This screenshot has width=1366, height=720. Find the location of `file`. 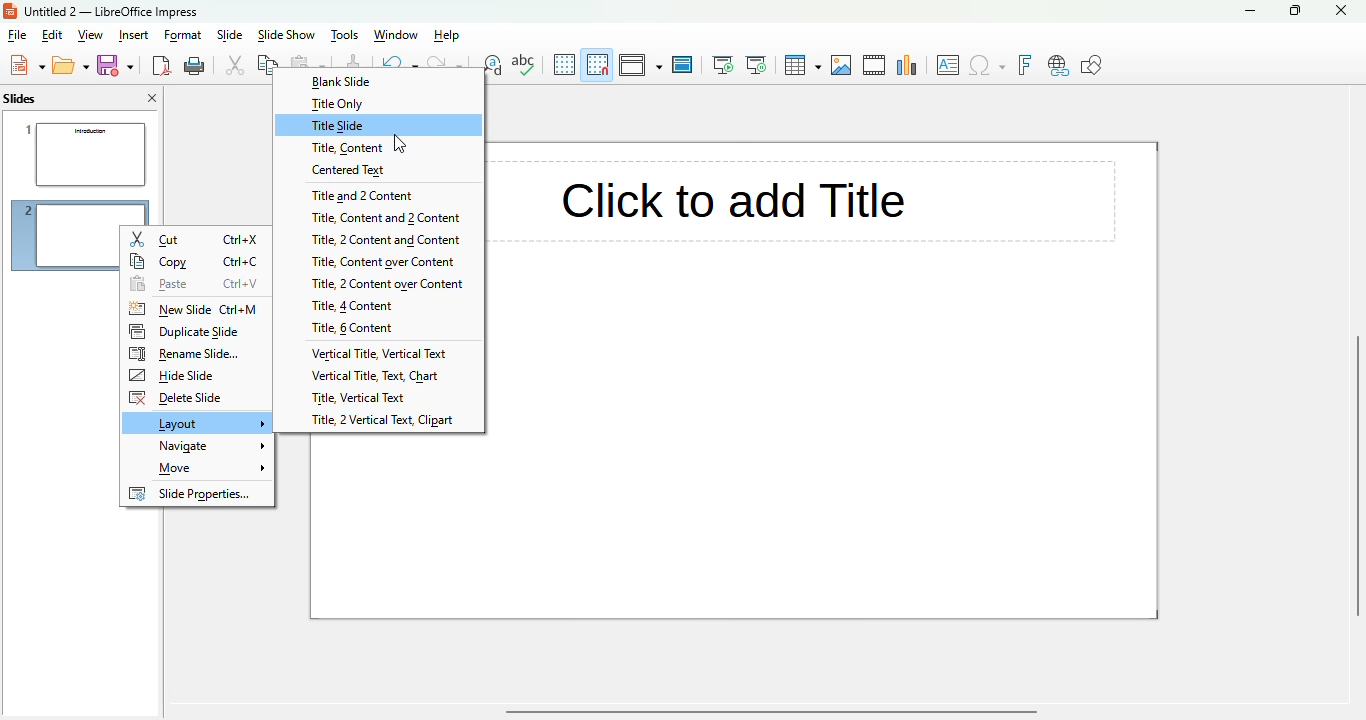

file is located at coordinates (16, 35).